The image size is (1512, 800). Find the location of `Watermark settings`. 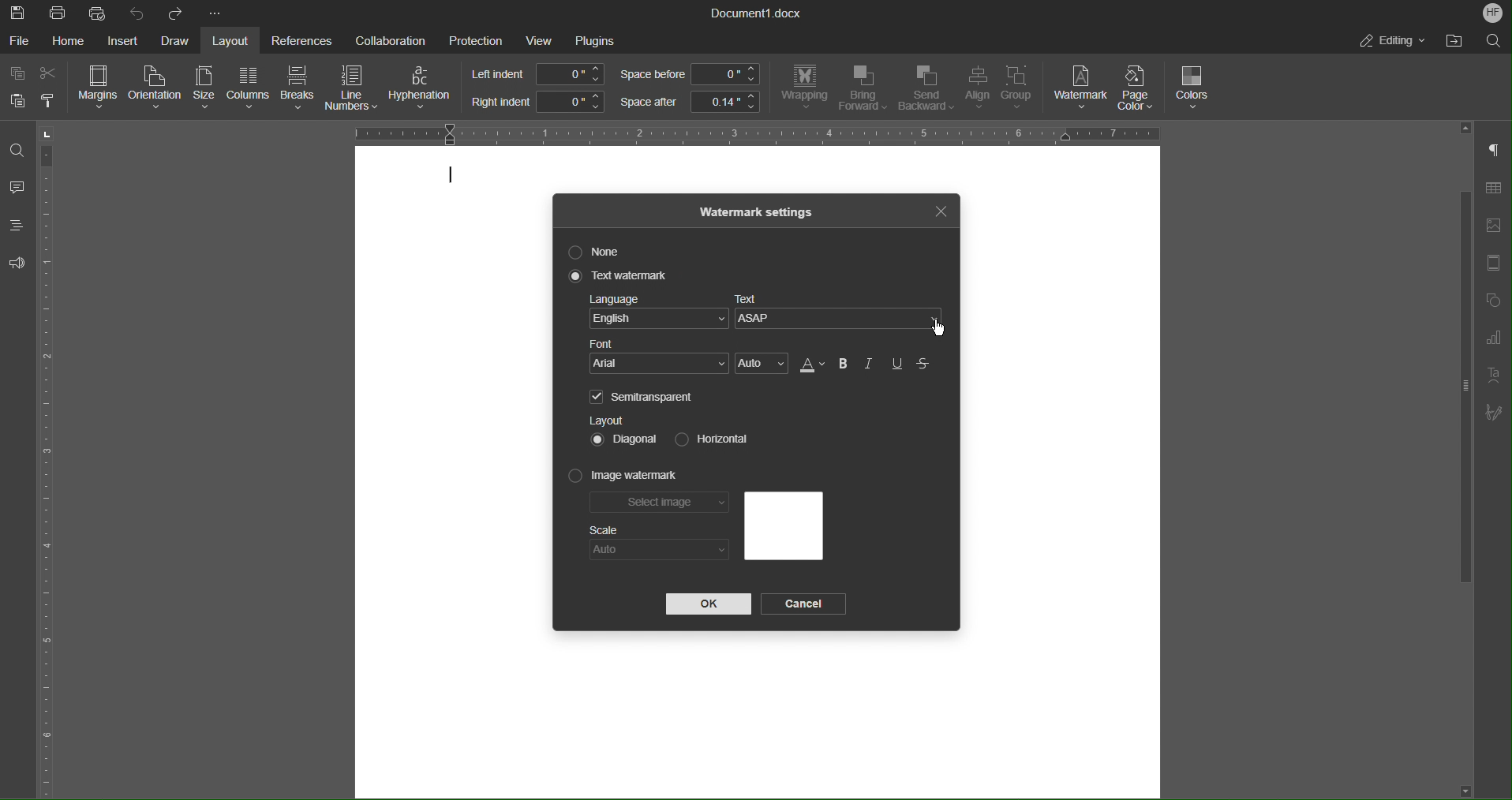

Watermark settings is located at coordinates (758, 211).